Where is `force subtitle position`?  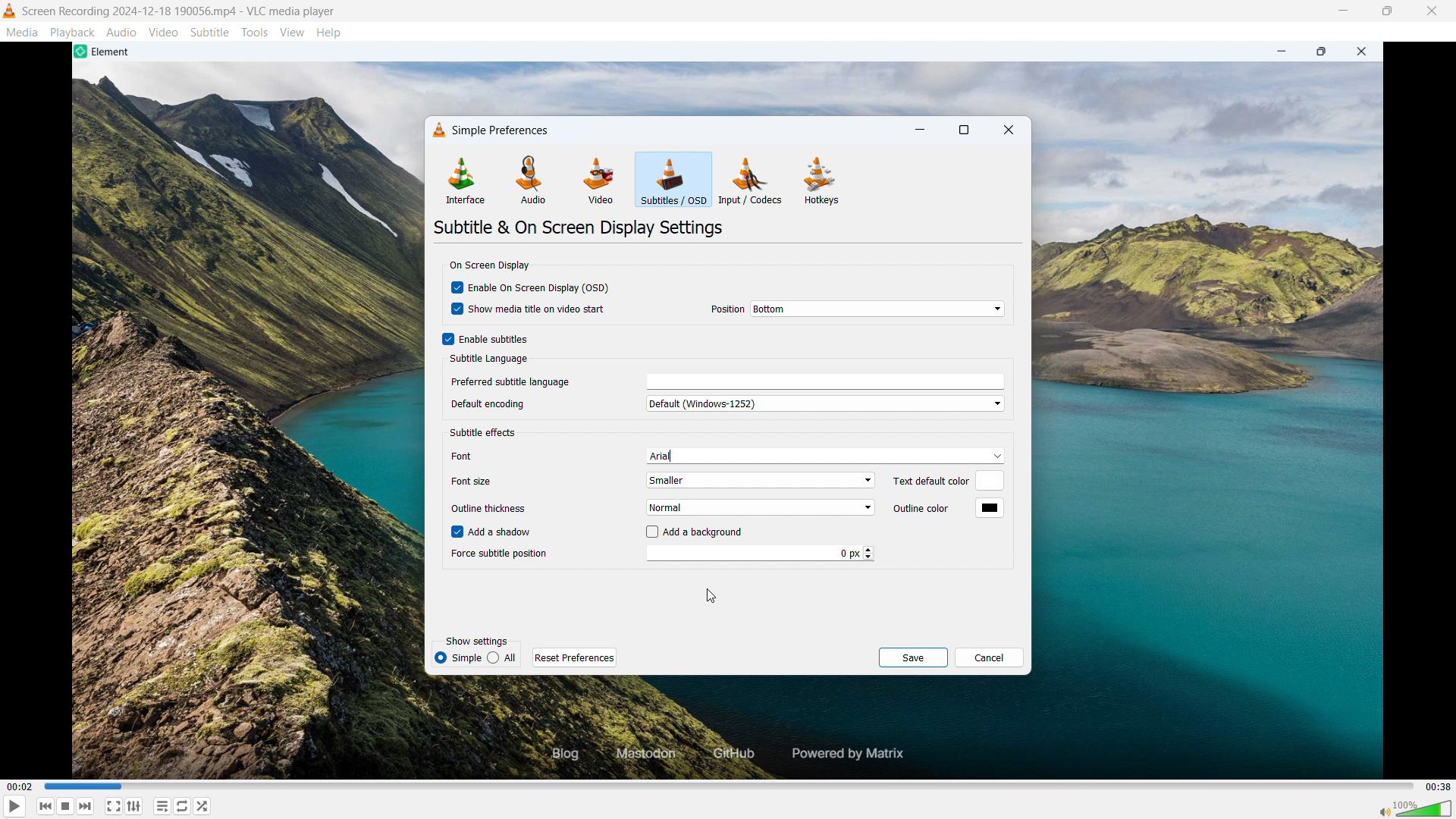
force subtitle position is located at coordinates (761, 553).